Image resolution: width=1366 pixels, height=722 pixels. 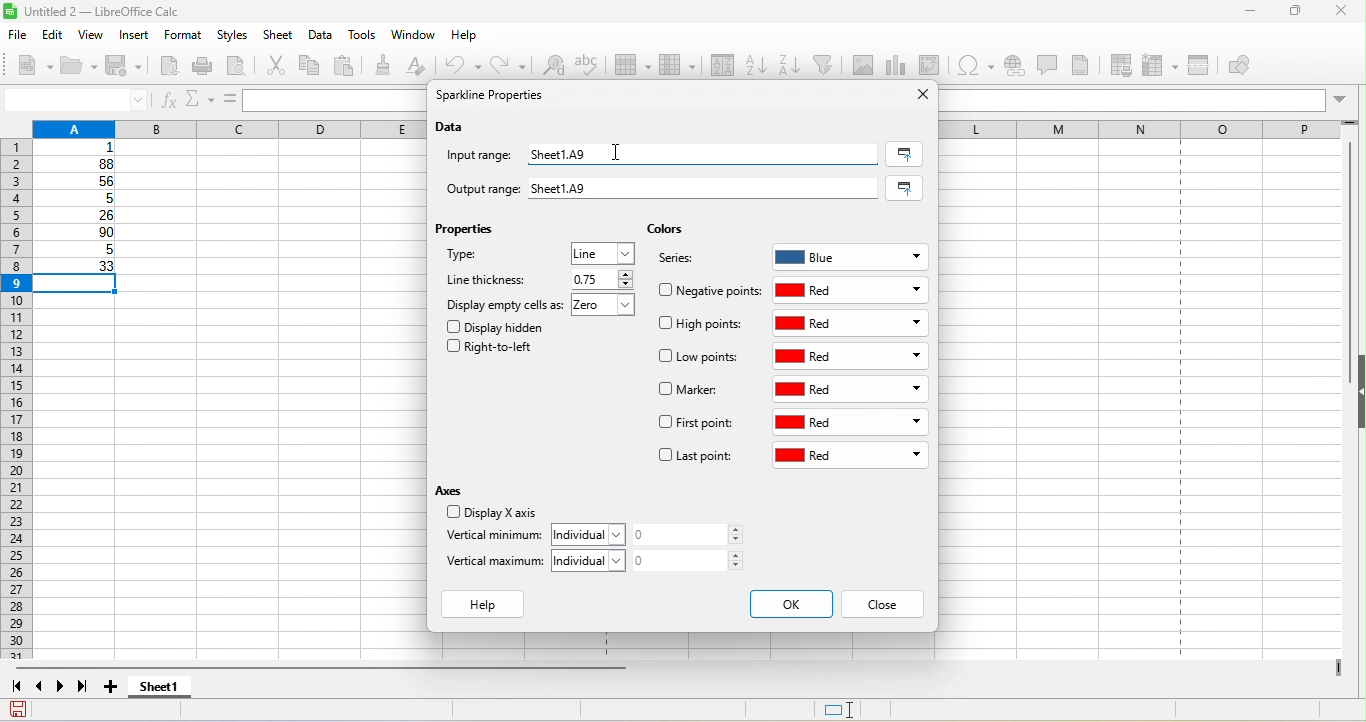 I want to click on sheet 1 a9, so click(x=698, y=153).